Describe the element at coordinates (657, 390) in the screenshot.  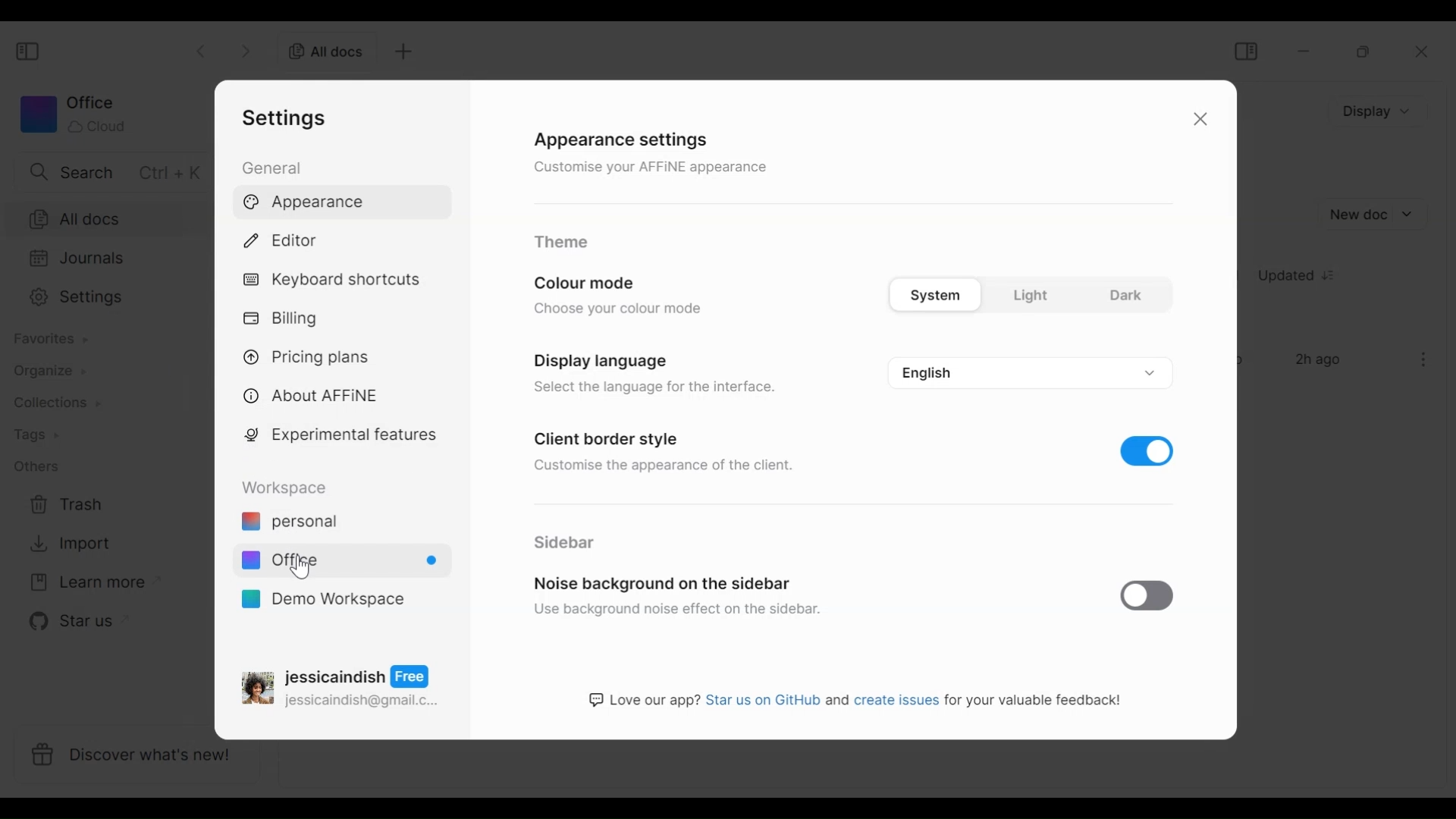
I see `Select the language for the interface.` at that location.